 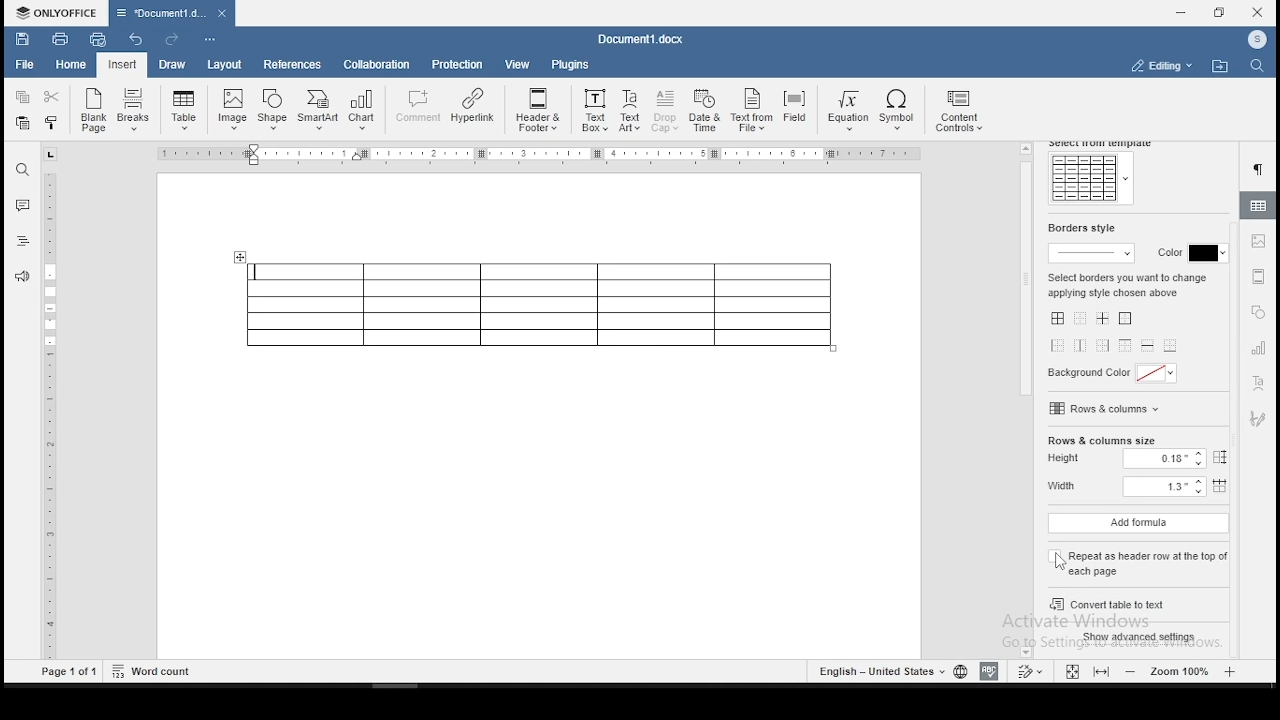 What do you see at coordinates (751, 112) in the screenshot?
I see `Text From File` at bounding box center [751, 112].